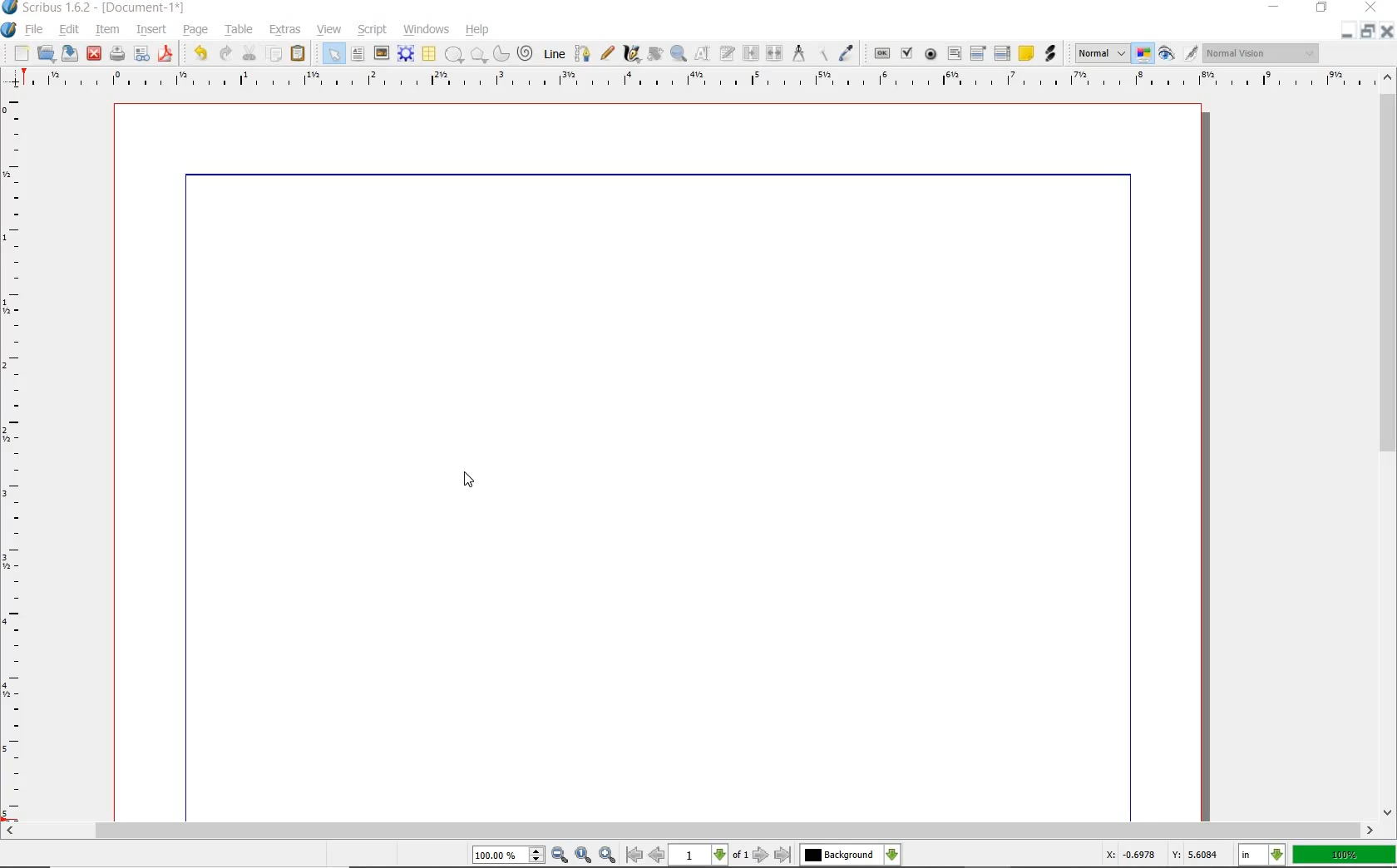 The width and height of the screenshot is (1397, 868). What do you see at coordinates (1389, 442) in the screenshot?
I see `SCROLLBAR` at bounding box center [1389, 442].